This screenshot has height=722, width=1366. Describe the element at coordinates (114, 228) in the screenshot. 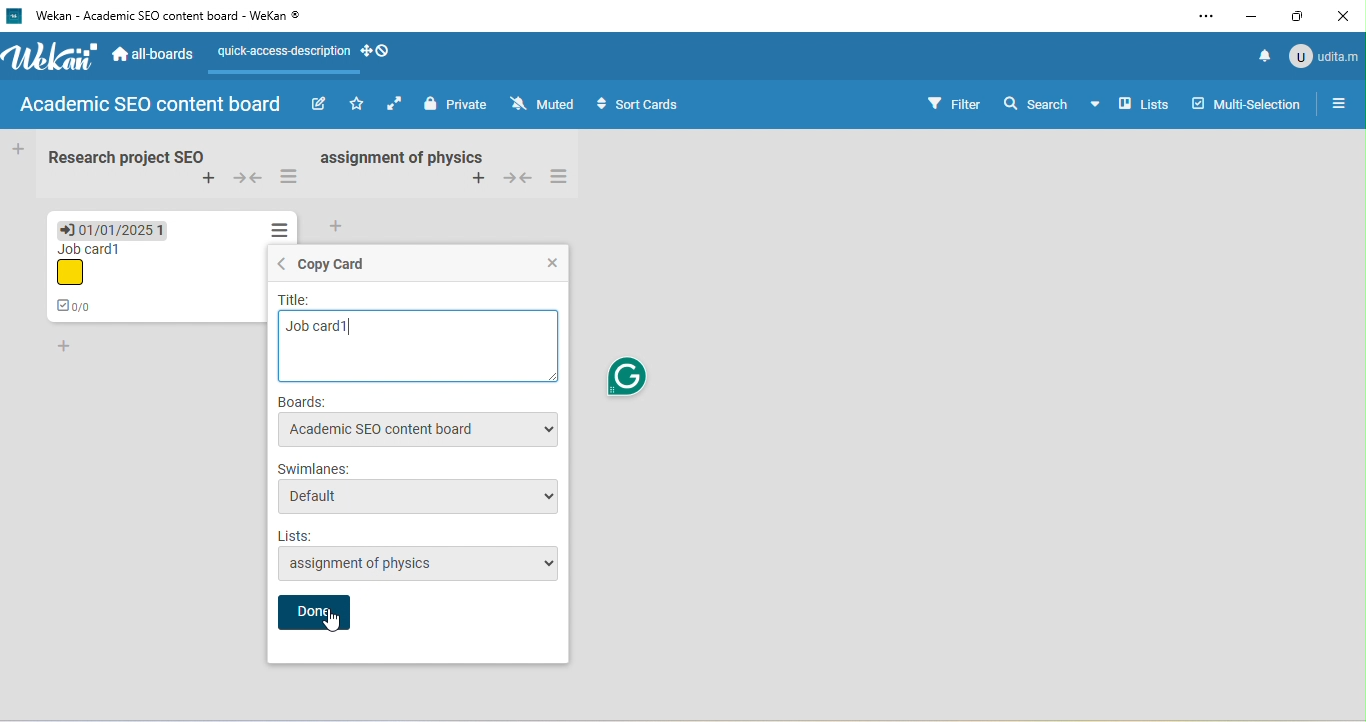

I see `due date` at that location.